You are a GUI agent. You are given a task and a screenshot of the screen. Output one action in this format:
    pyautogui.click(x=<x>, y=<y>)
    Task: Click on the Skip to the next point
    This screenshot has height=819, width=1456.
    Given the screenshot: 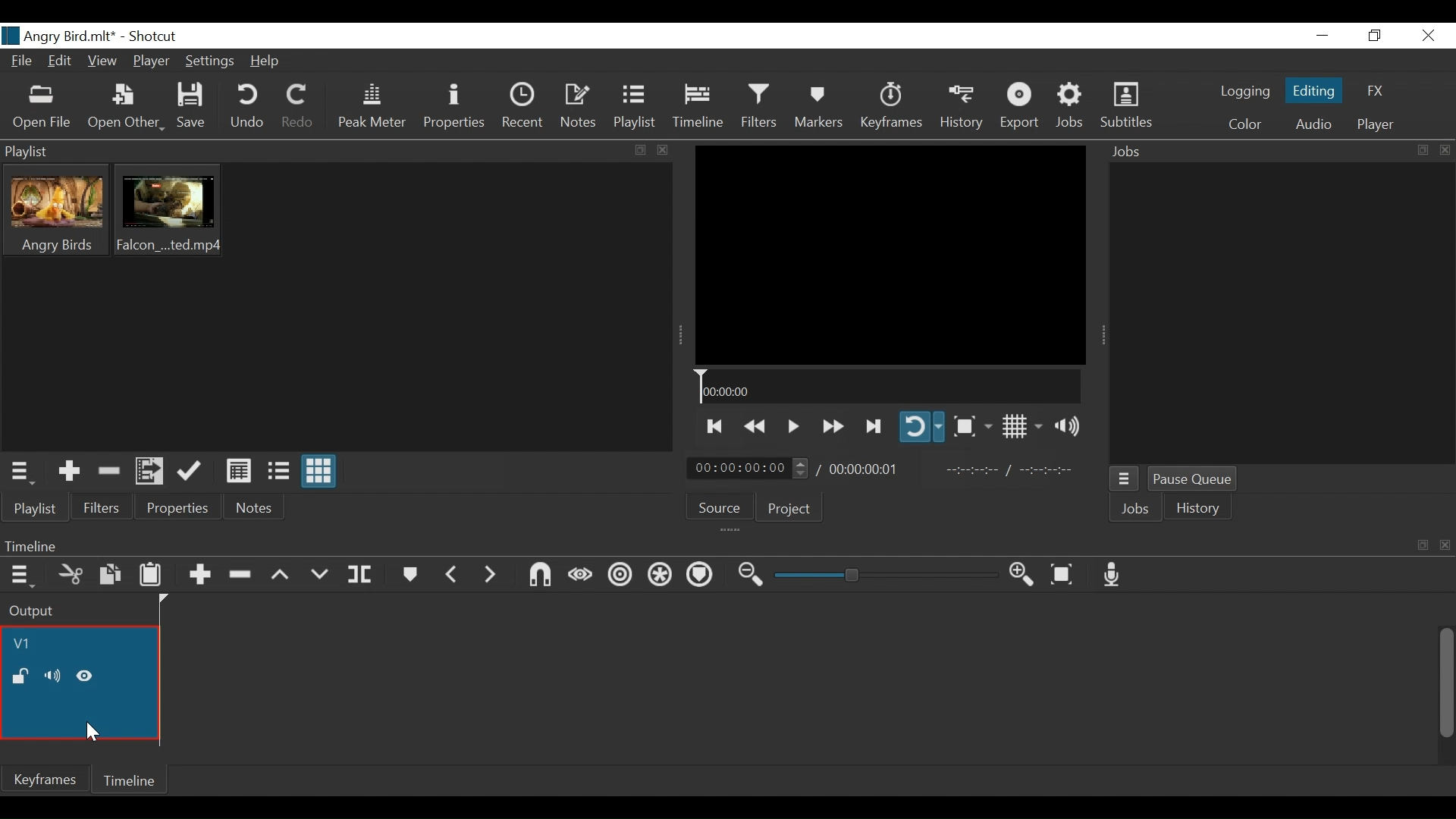 What is the action you would take?
    pyautogui.click(x=873, y=428)
    